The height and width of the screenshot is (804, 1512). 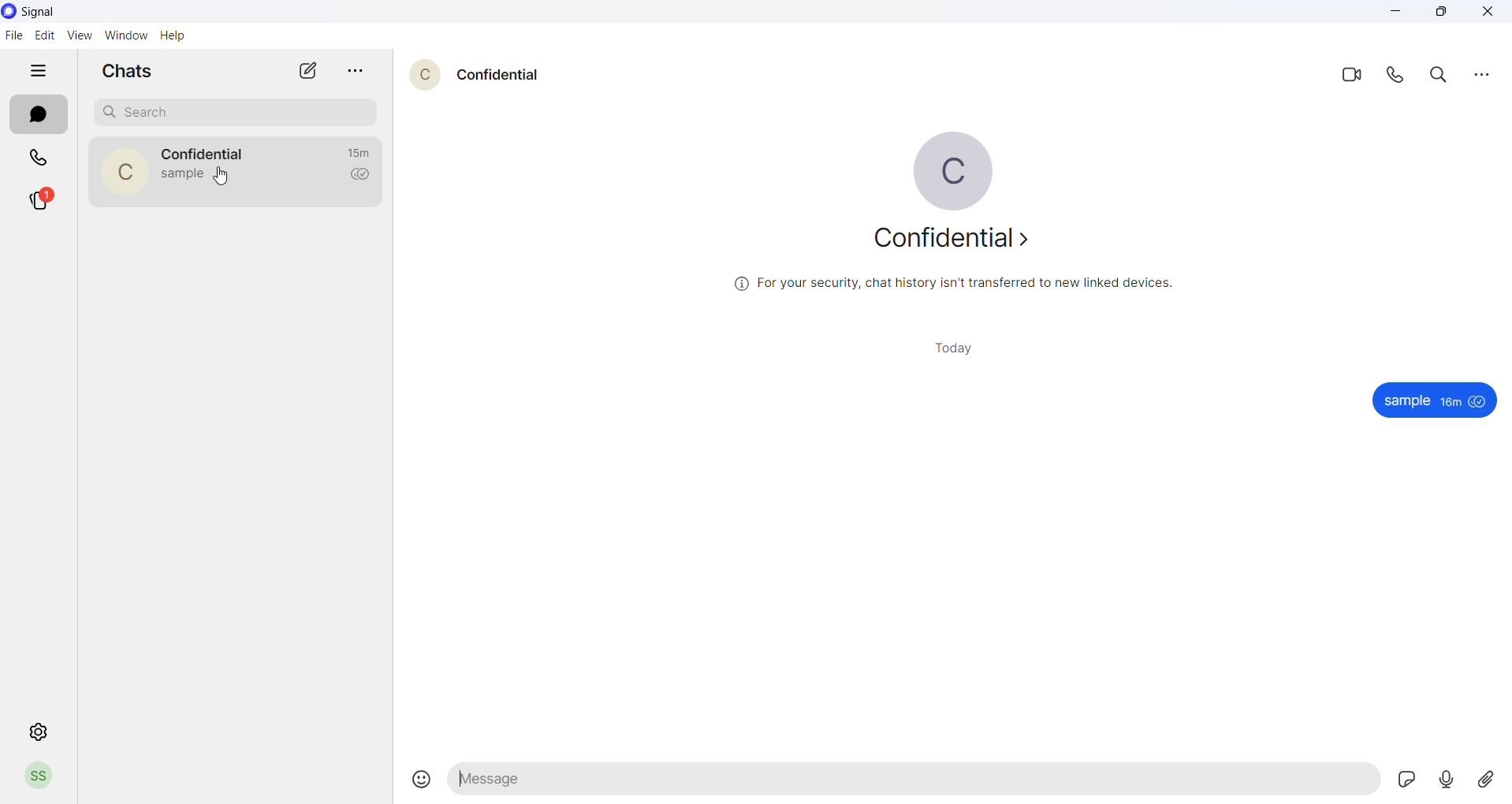 I want to click on read recipient , so click(x=362, y=175).